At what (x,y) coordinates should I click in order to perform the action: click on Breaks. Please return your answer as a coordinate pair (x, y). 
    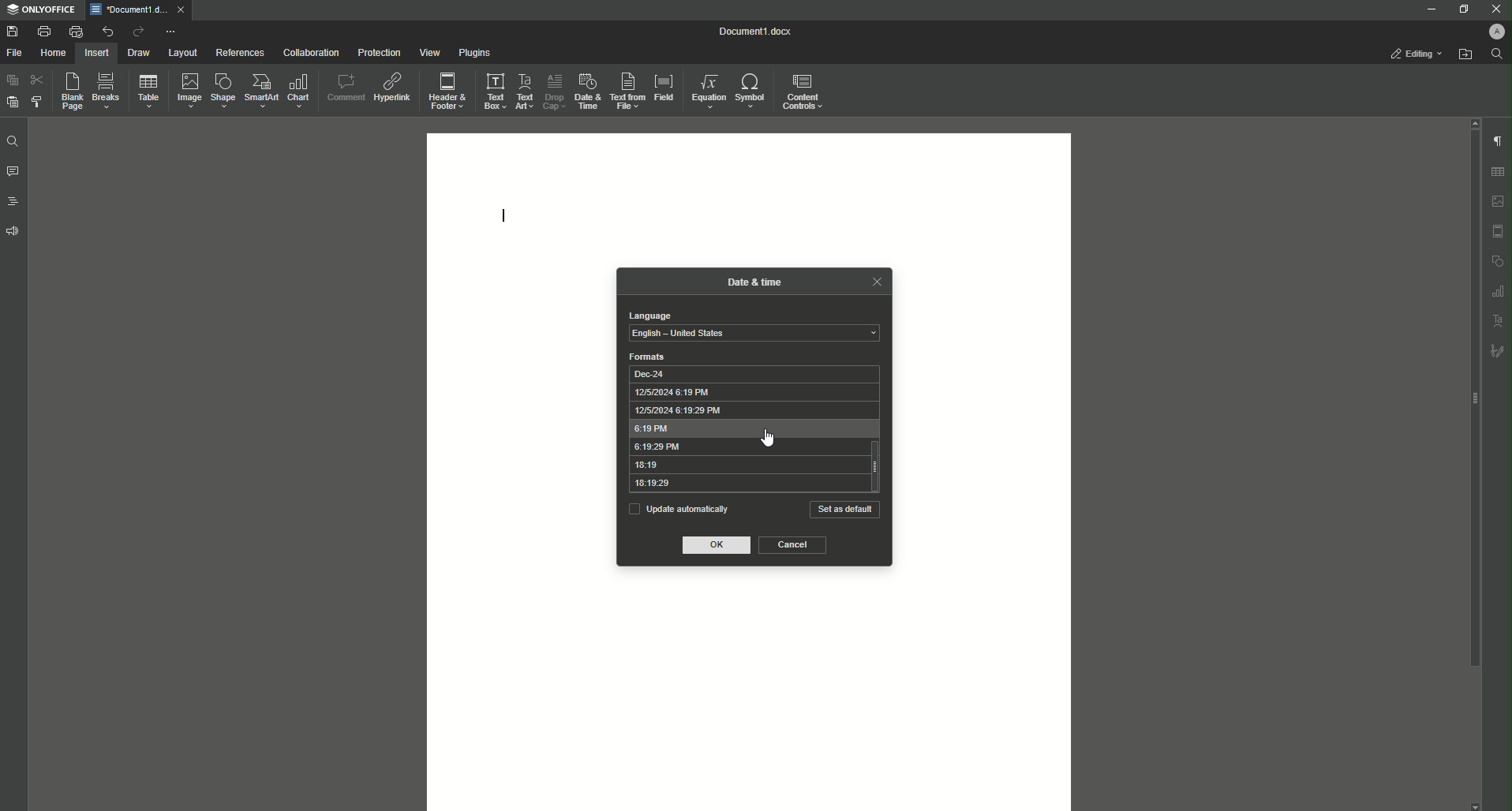
    Looking at the image, I should click on (106, 92).